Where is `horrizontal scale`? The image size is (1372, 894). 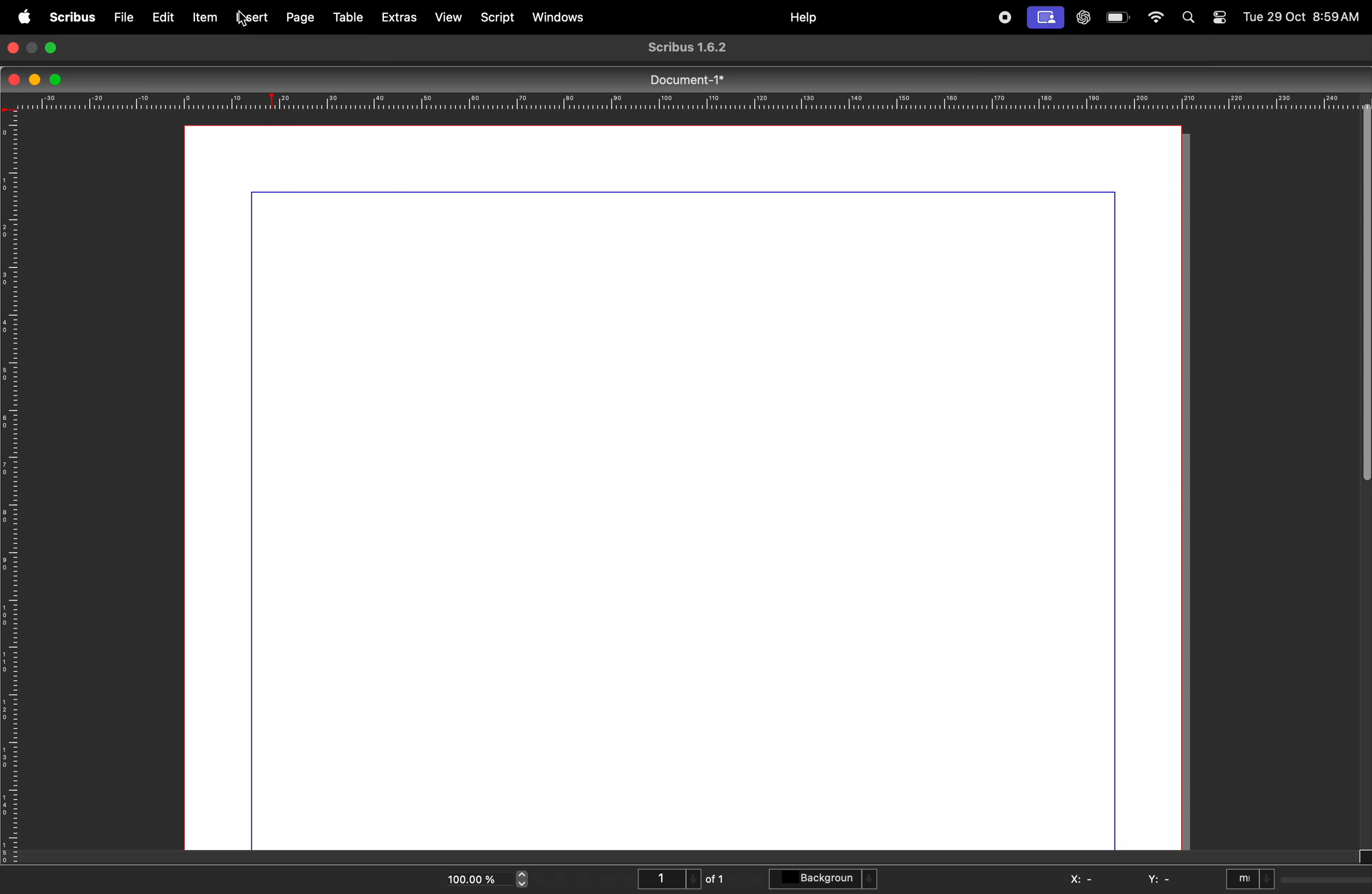
horrizontal scale is located at coordinates (681, 101).